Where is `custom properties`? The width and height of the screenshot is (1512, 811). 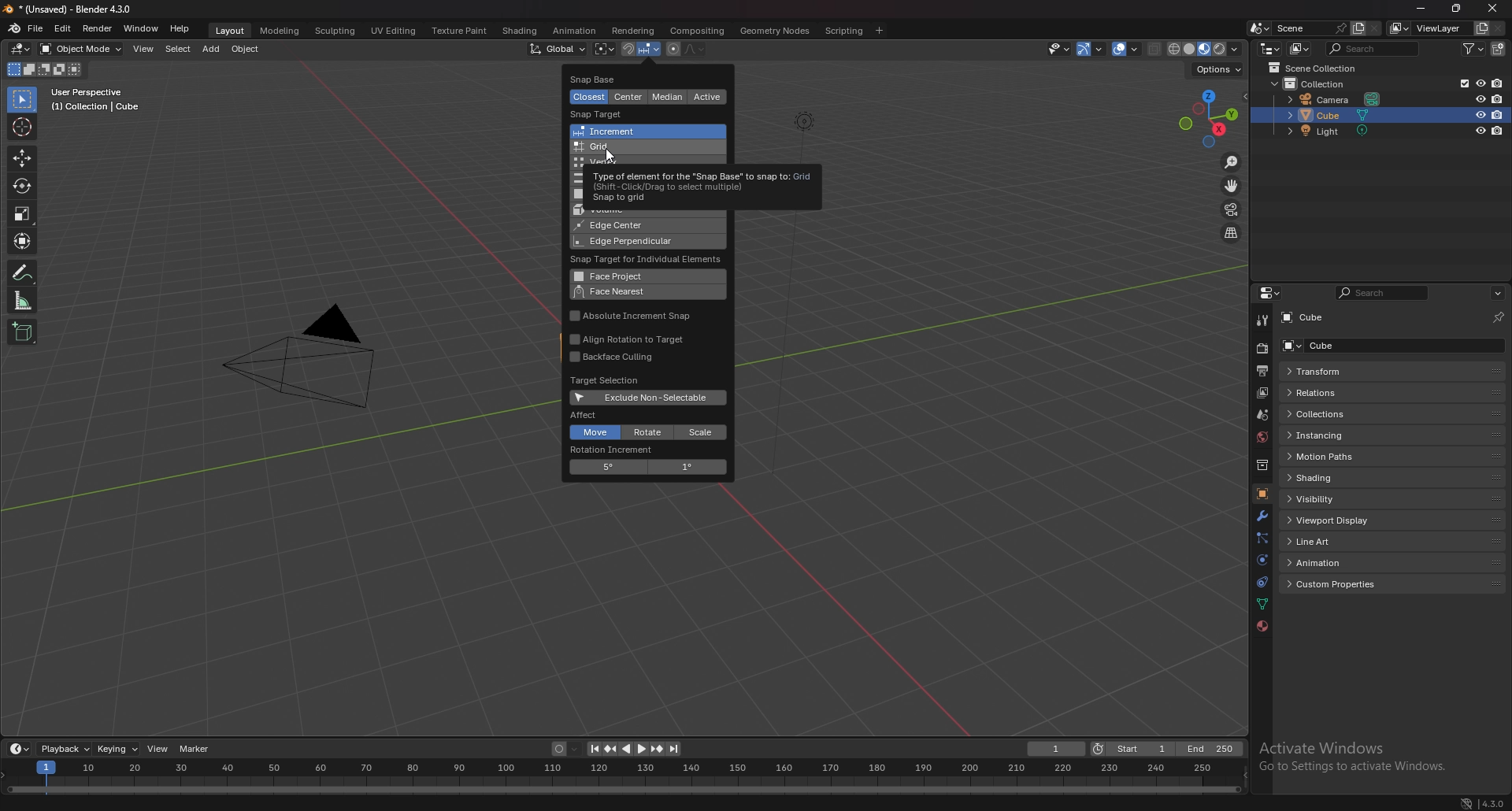 custom properties is located at coordinates (1338, 584).